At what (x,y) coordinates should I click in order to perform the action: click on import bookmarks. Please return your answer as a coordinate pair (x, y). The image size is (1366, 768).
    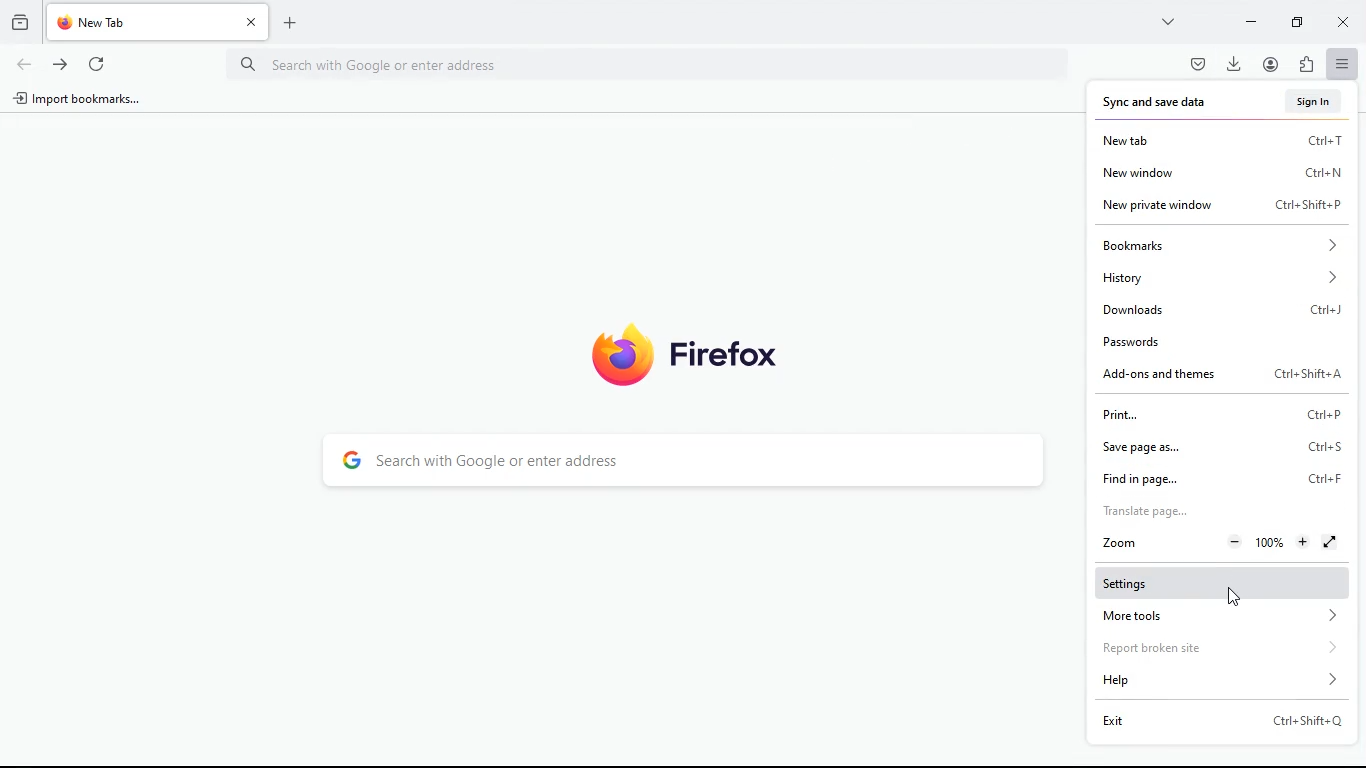
    Looking at the image, I should click on (84, 103).